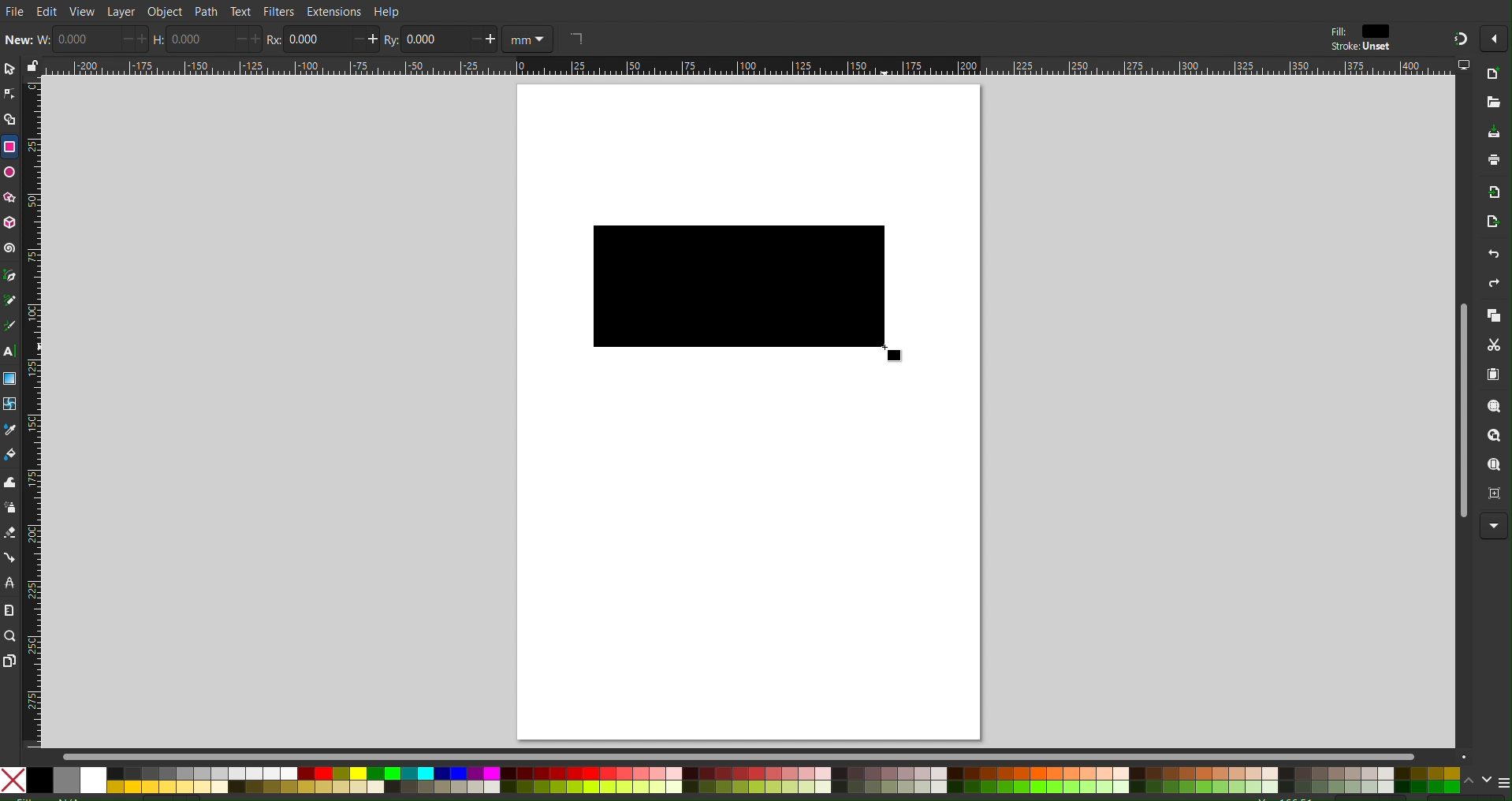 The width and height of the screenshot is (1512, 801). What do you see at coordinates (195, 39) in the screenshot?
I see `0.000` at bounding box center [195, 39].